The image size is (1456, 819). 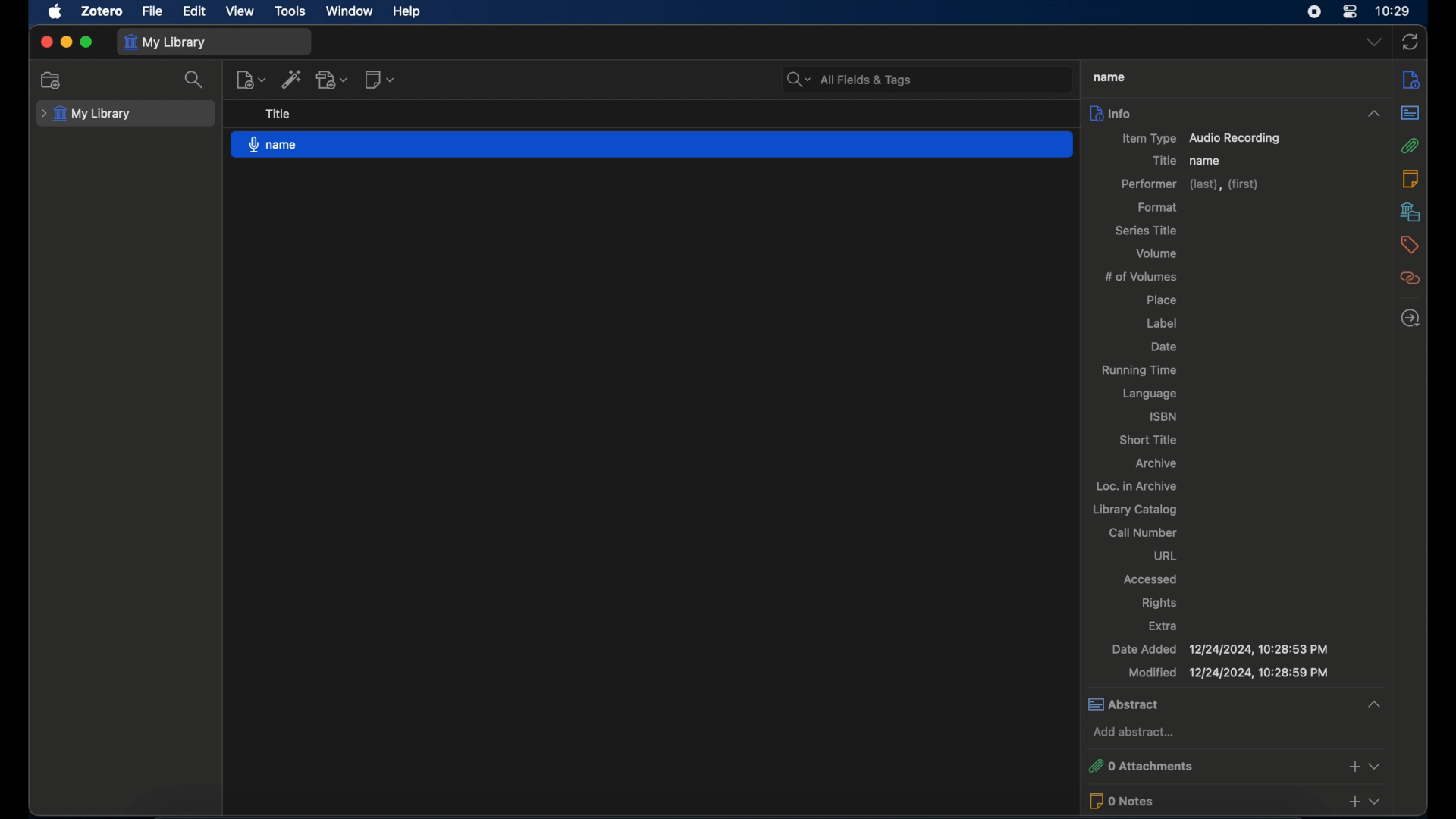 I want to click on notes, so click(x=1410, y=179).